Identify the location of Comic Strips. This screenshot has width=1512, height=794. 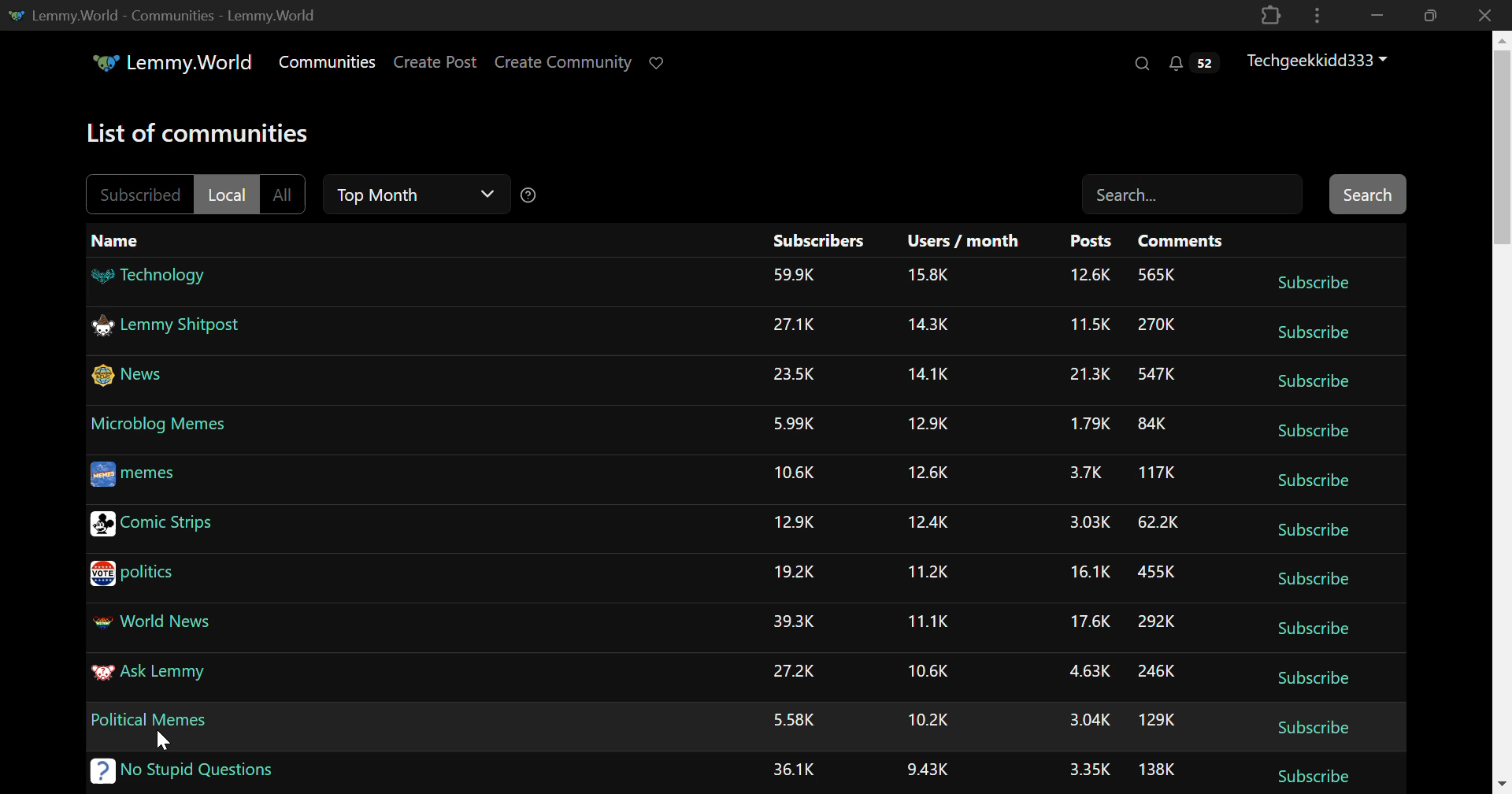
(152, 525).